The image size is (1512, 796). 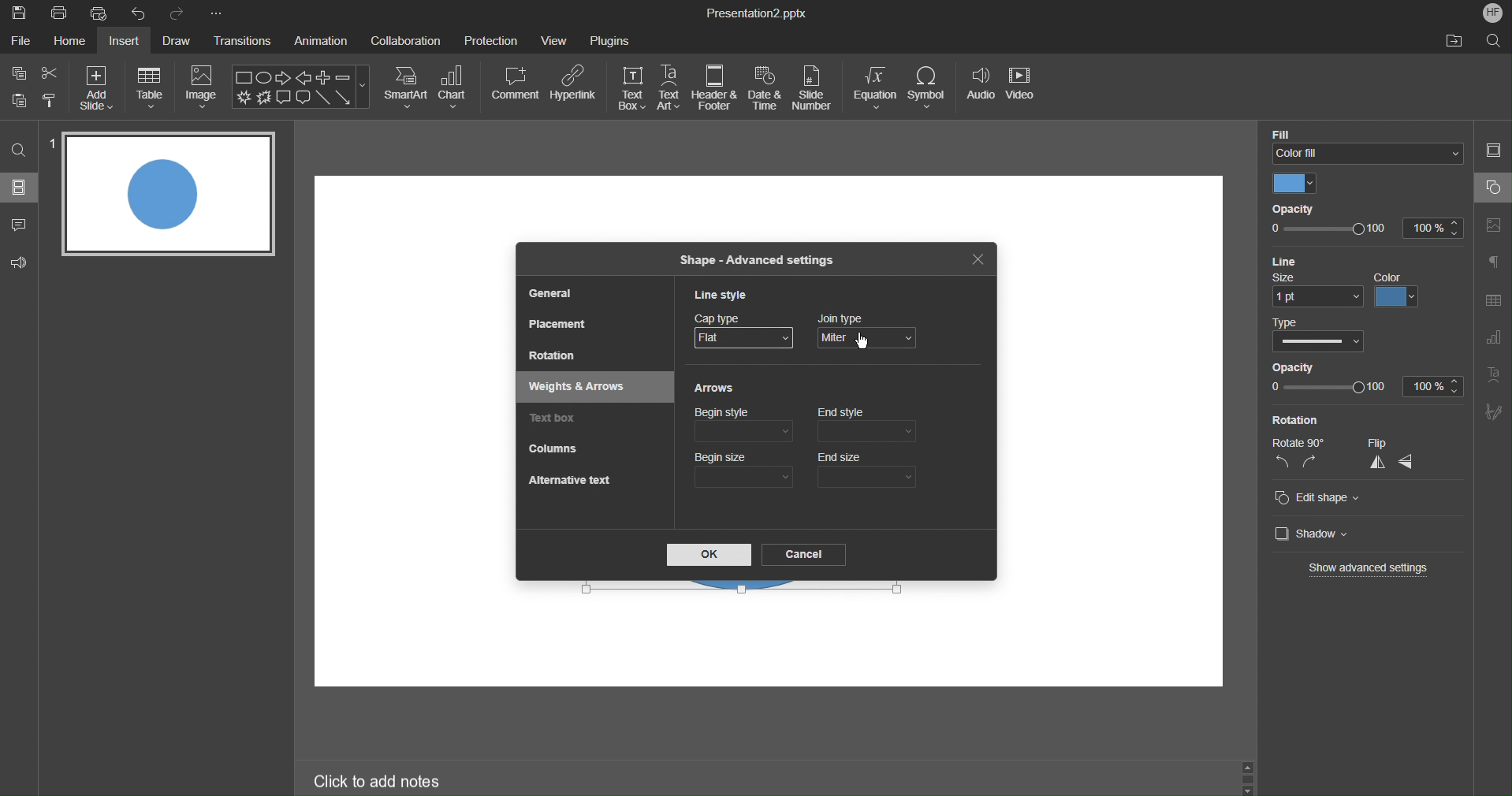 What do you see at coordinates (180, 41) in the screenshot?
I see `Draw` at bounding box center [180, 41].